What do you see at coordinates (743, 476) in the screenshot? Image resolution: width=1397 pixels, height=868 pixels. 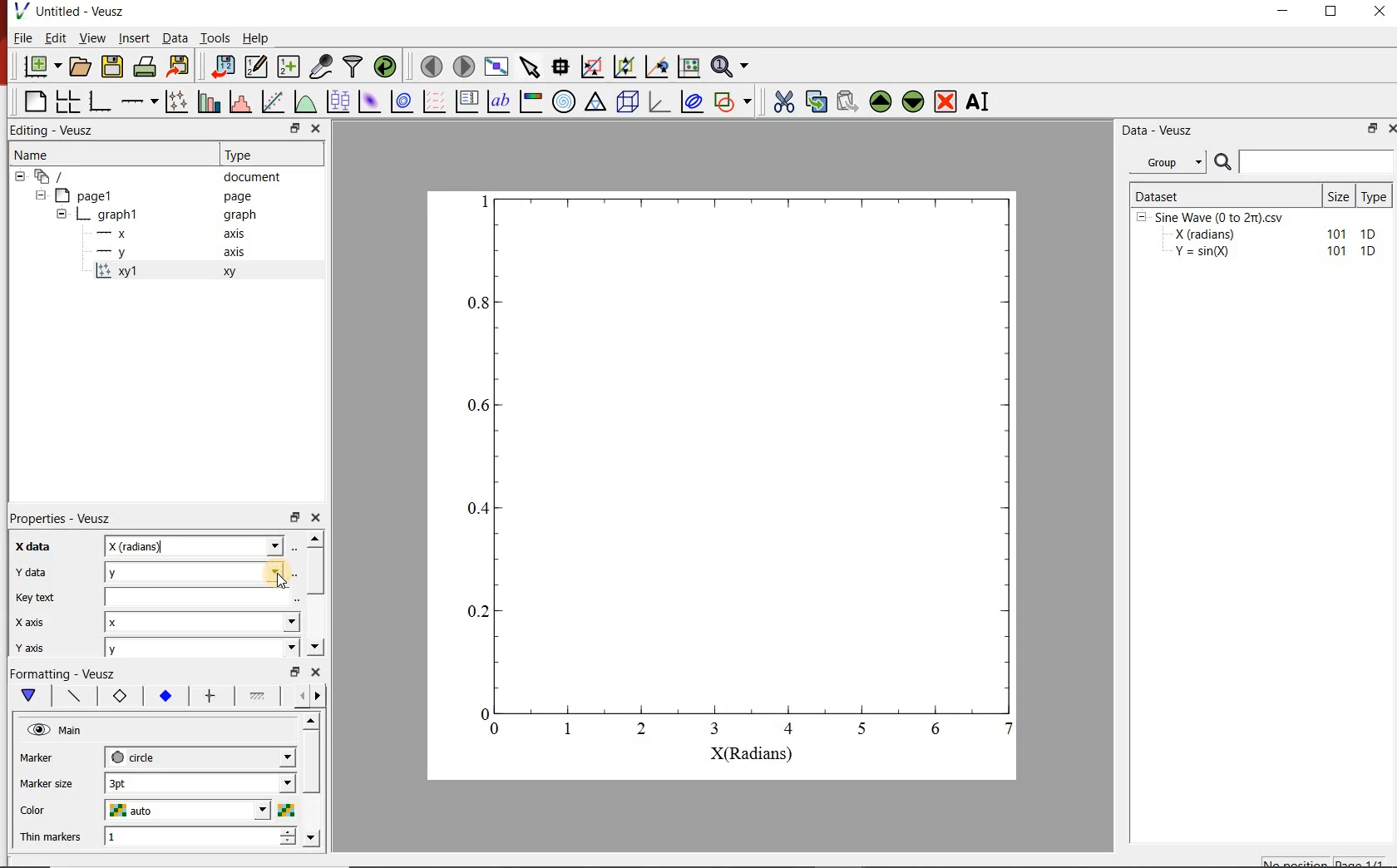 I see `BS —
0.8
0.6
0.4
0.2
0 0.2 0.4 0.6 0.8 1` at bounding box center [743, 476].